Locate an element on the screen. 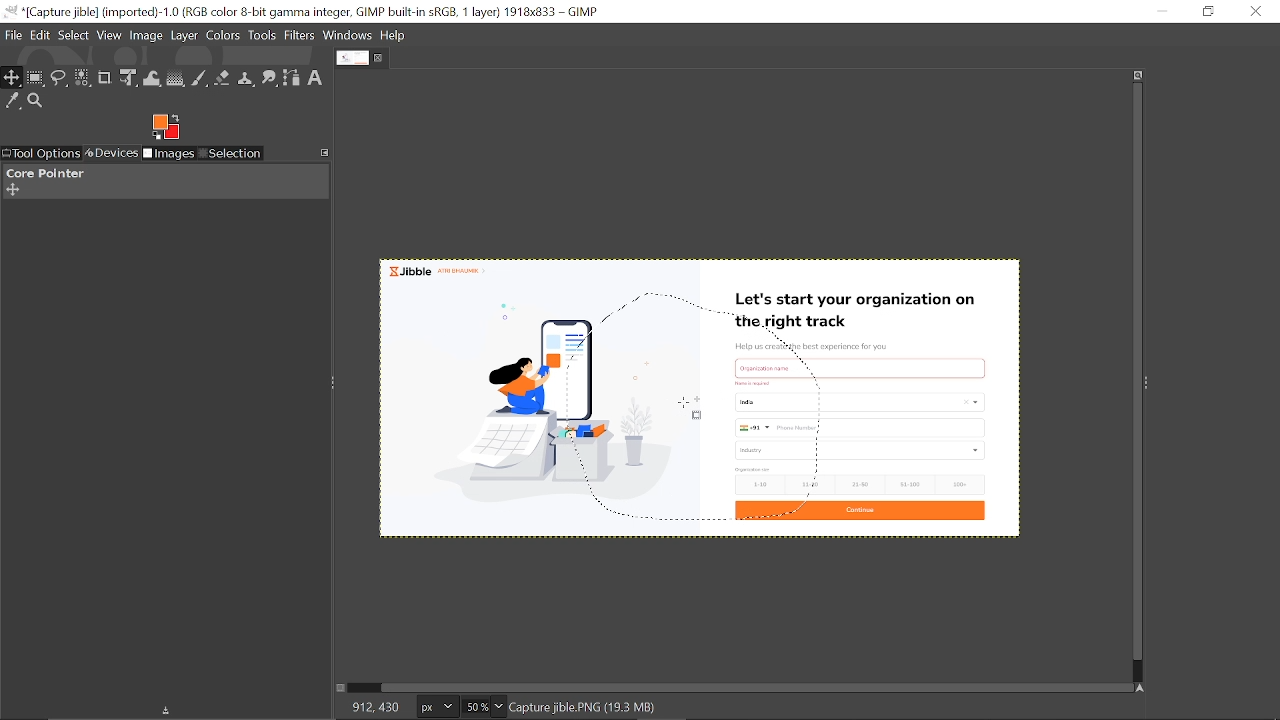 The height and width of the screenshot is (720, 1280). Smudge tool is located at coordinates (271, 79).